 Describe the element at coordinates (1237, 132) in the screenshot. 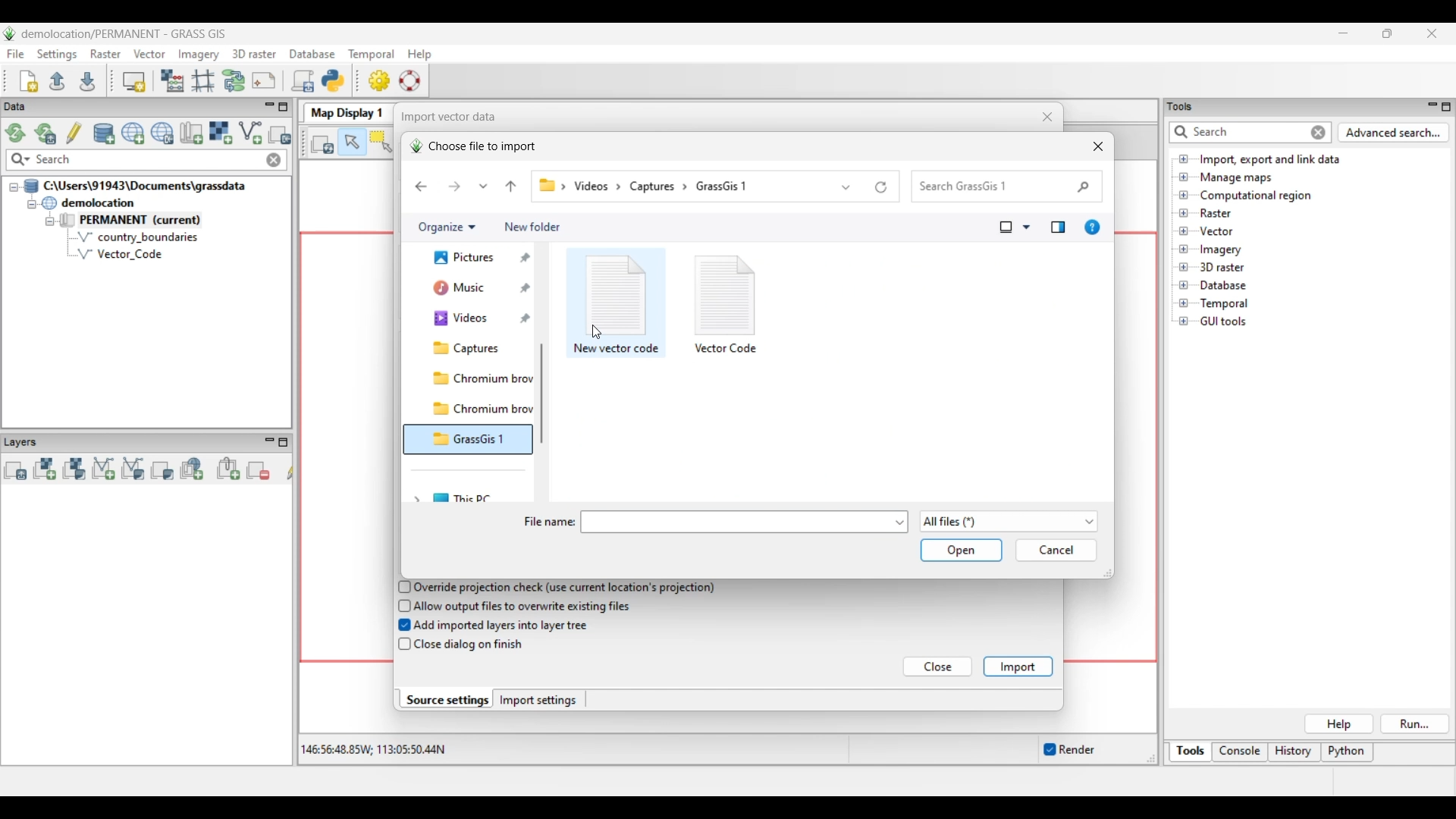

I see `Type in or enter details for quick search` at that location.